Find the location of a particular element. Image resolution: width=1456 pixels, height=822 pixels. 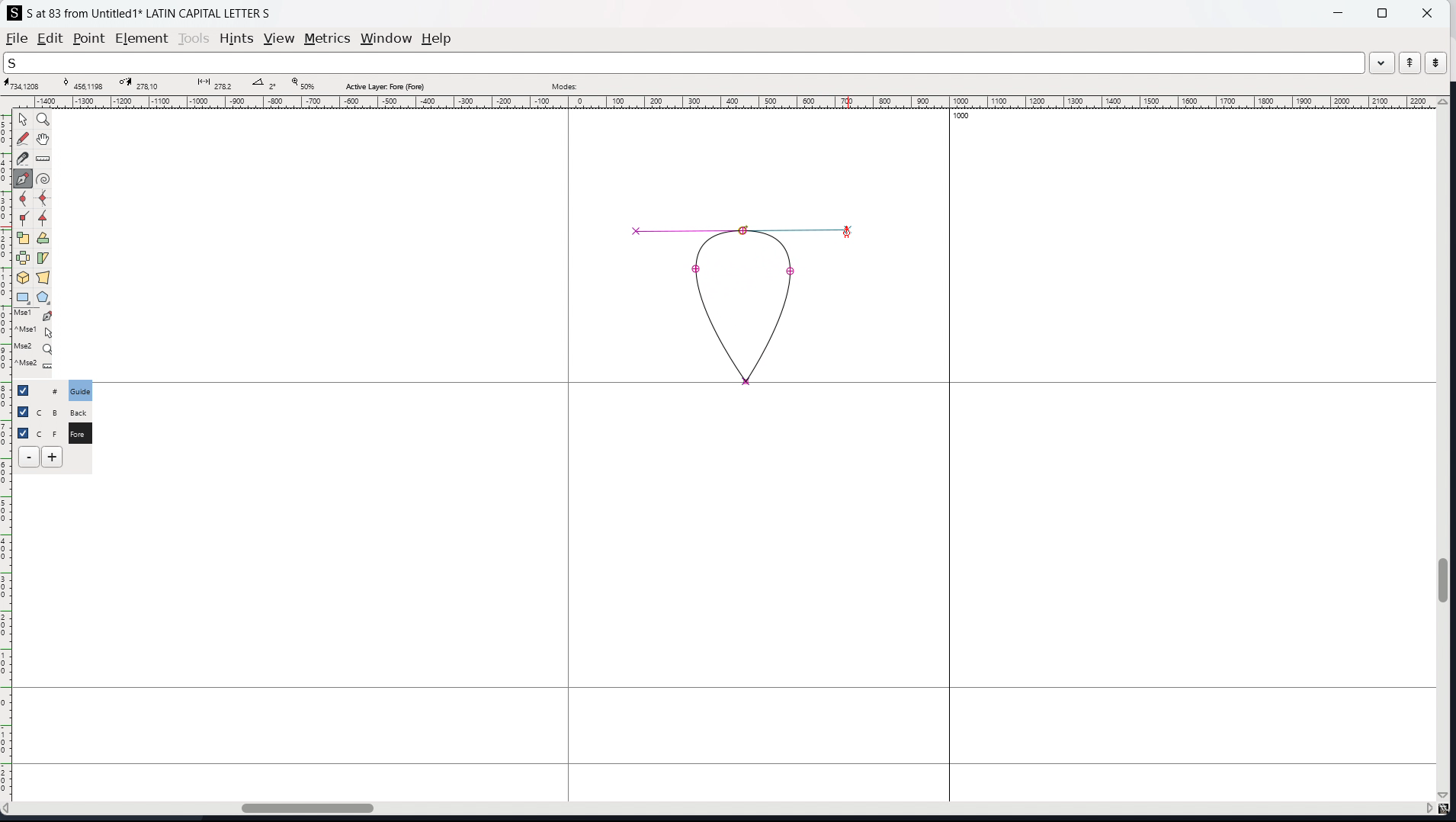

flip the selection is located at coordinates (23, 258).